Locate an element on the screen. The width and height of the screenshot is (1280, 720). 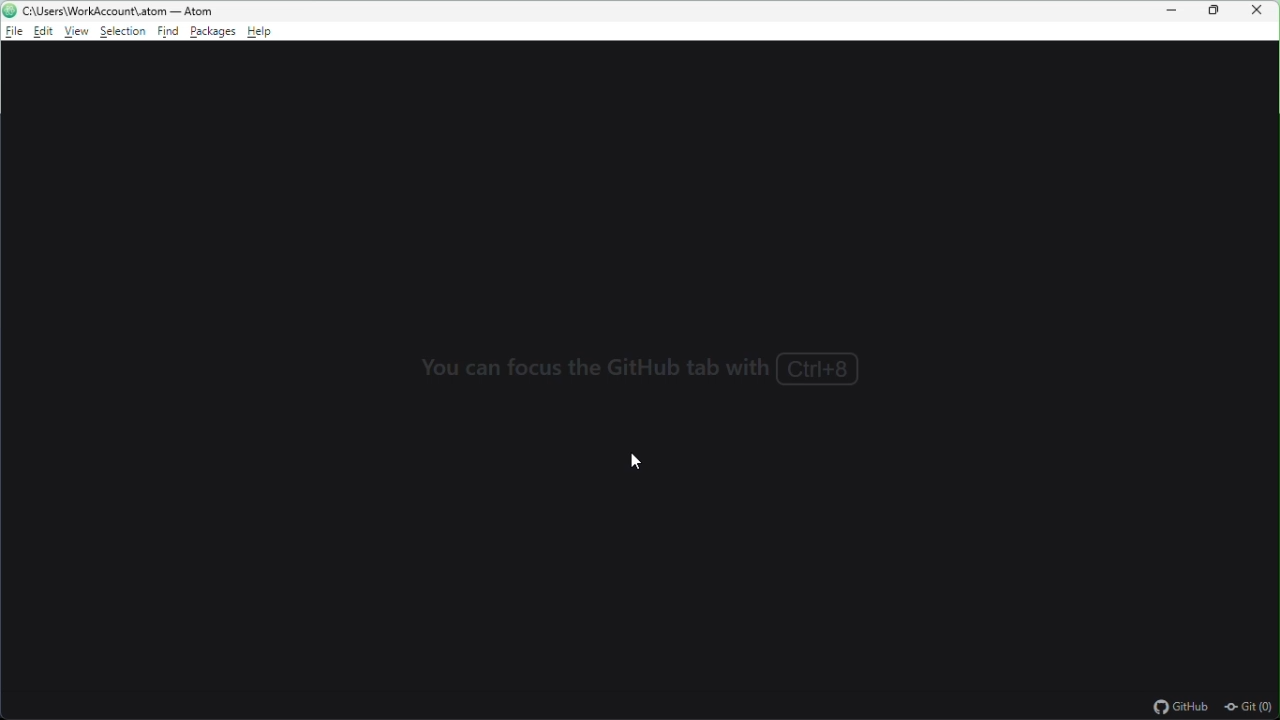
selection is located at coordinates (125, 34).